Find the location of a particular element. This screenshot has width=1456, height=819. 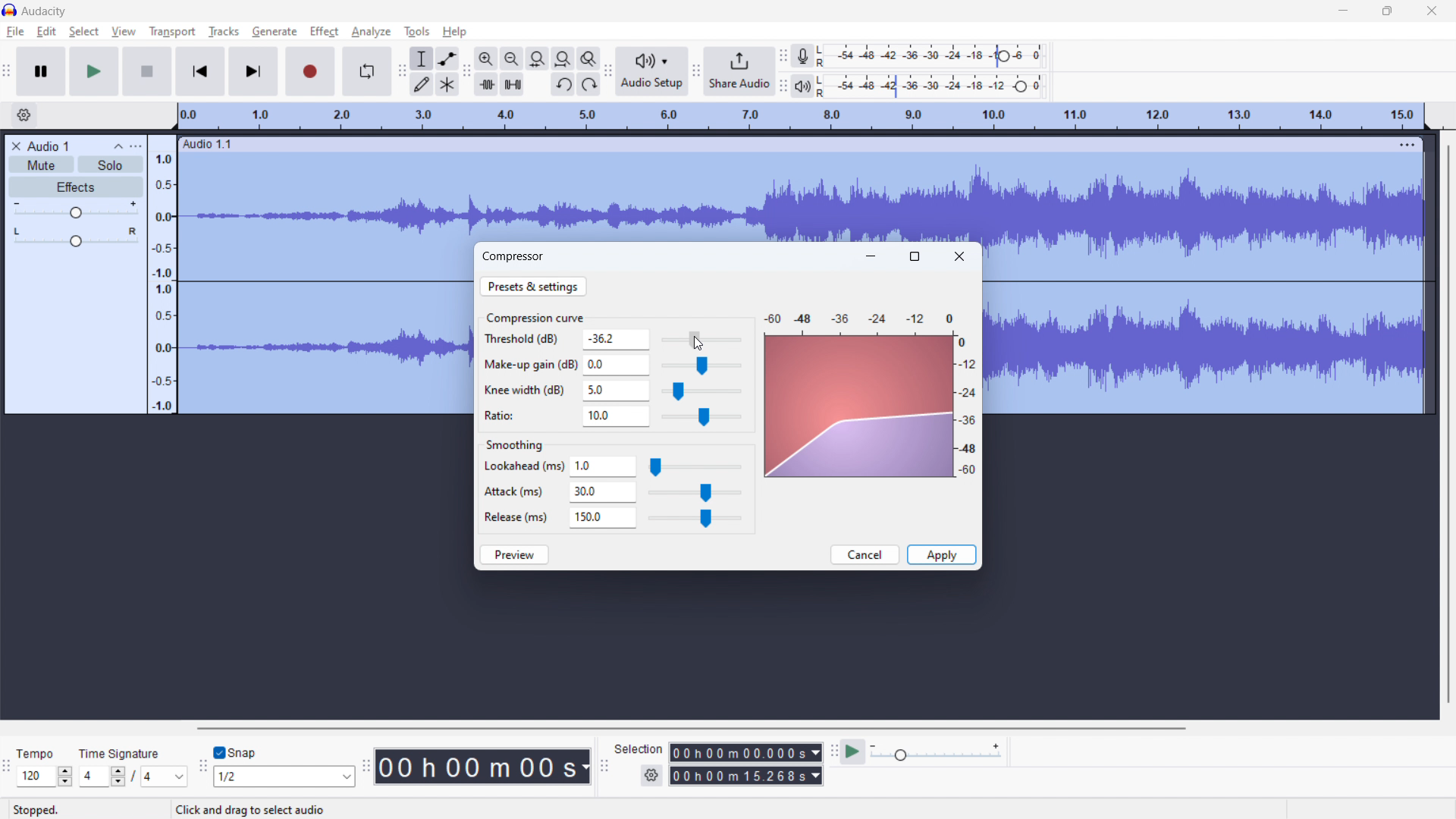

enable looping is located at coordinates (366, 71).